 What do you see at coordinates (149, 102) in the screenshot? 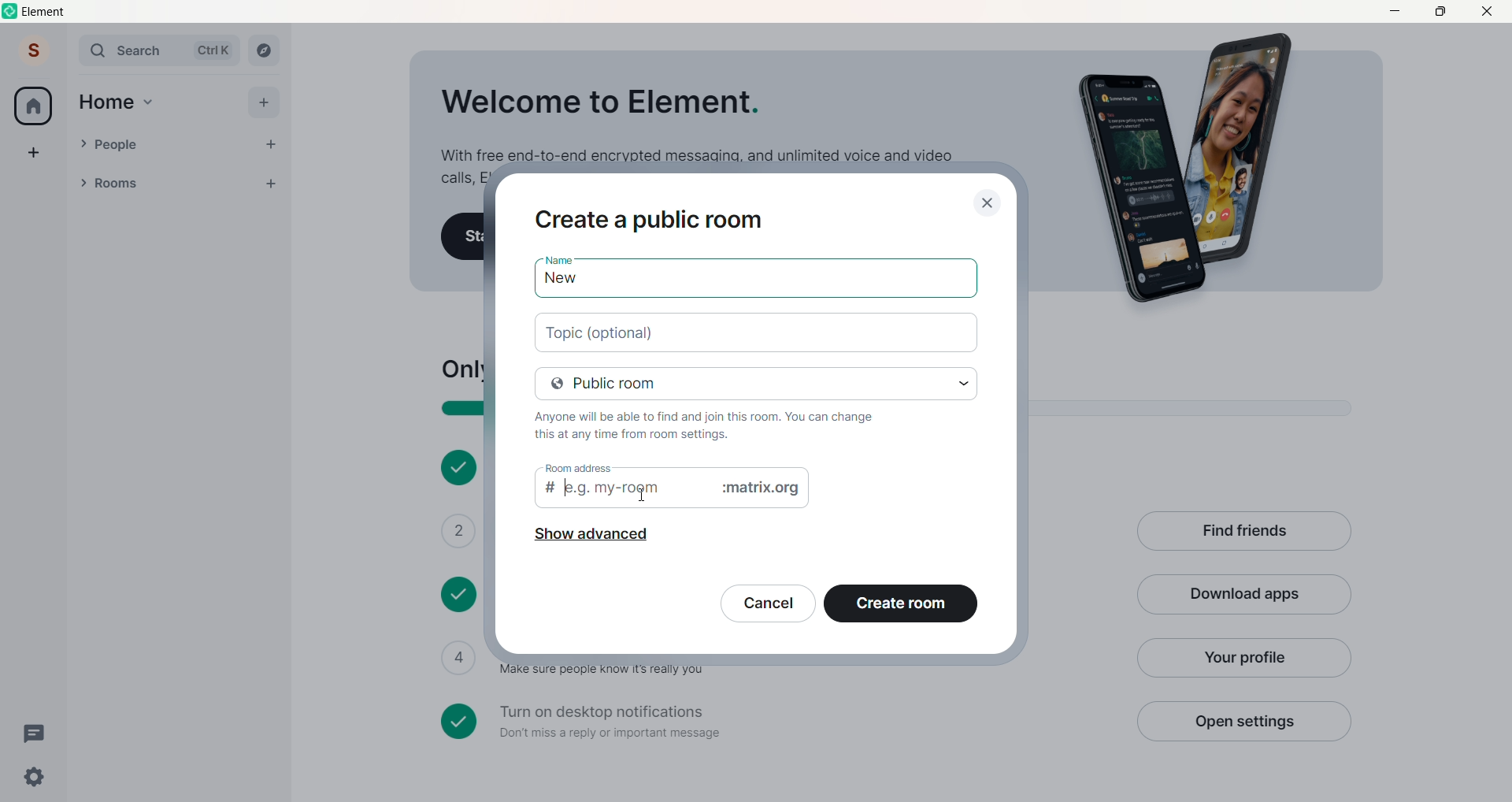
I see `Home Drop Down` at bounding box center [149, 102].